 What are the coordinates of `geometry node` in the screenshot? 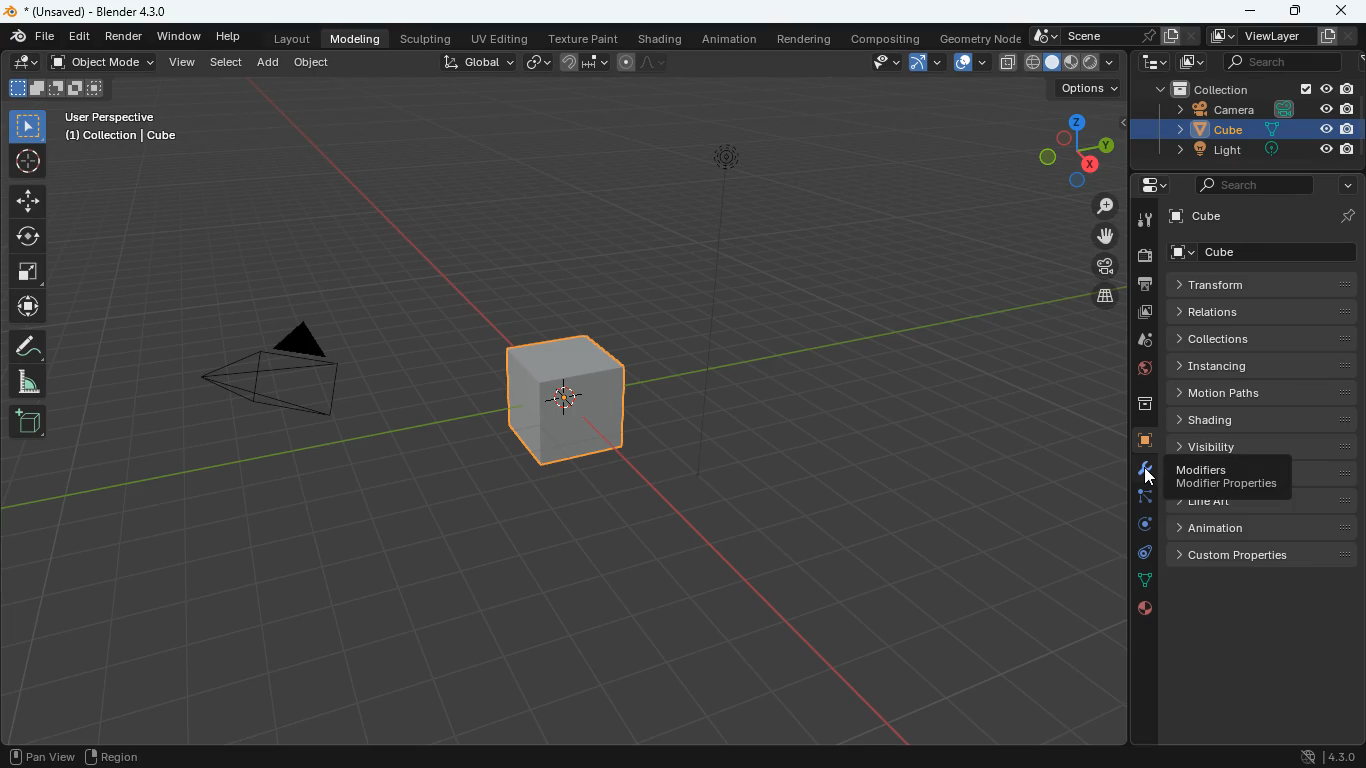 It's located at (974, 37).